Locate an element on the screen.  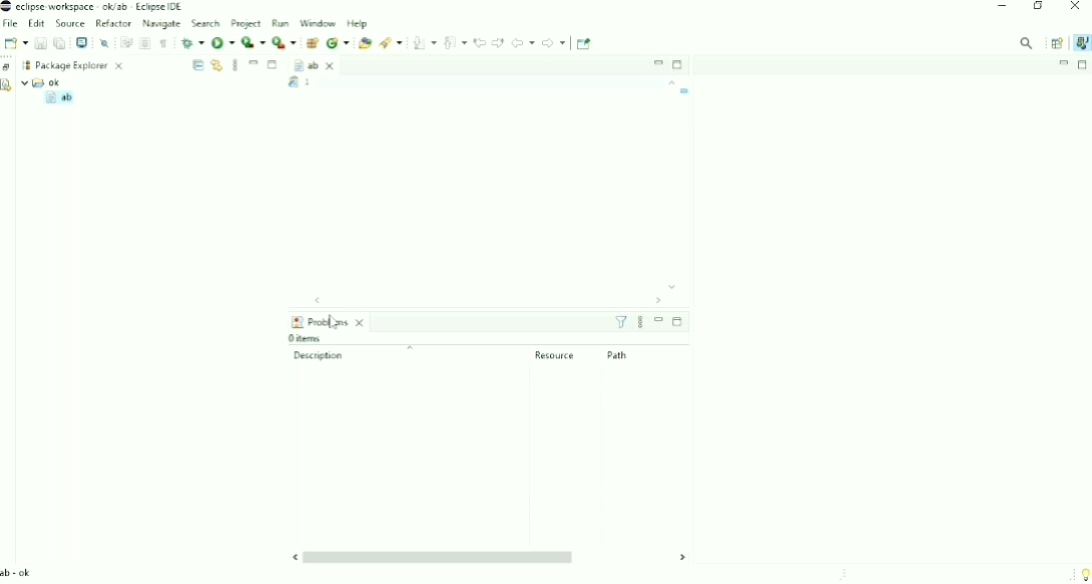
Package Explorer is located at coordinates (80, 65).